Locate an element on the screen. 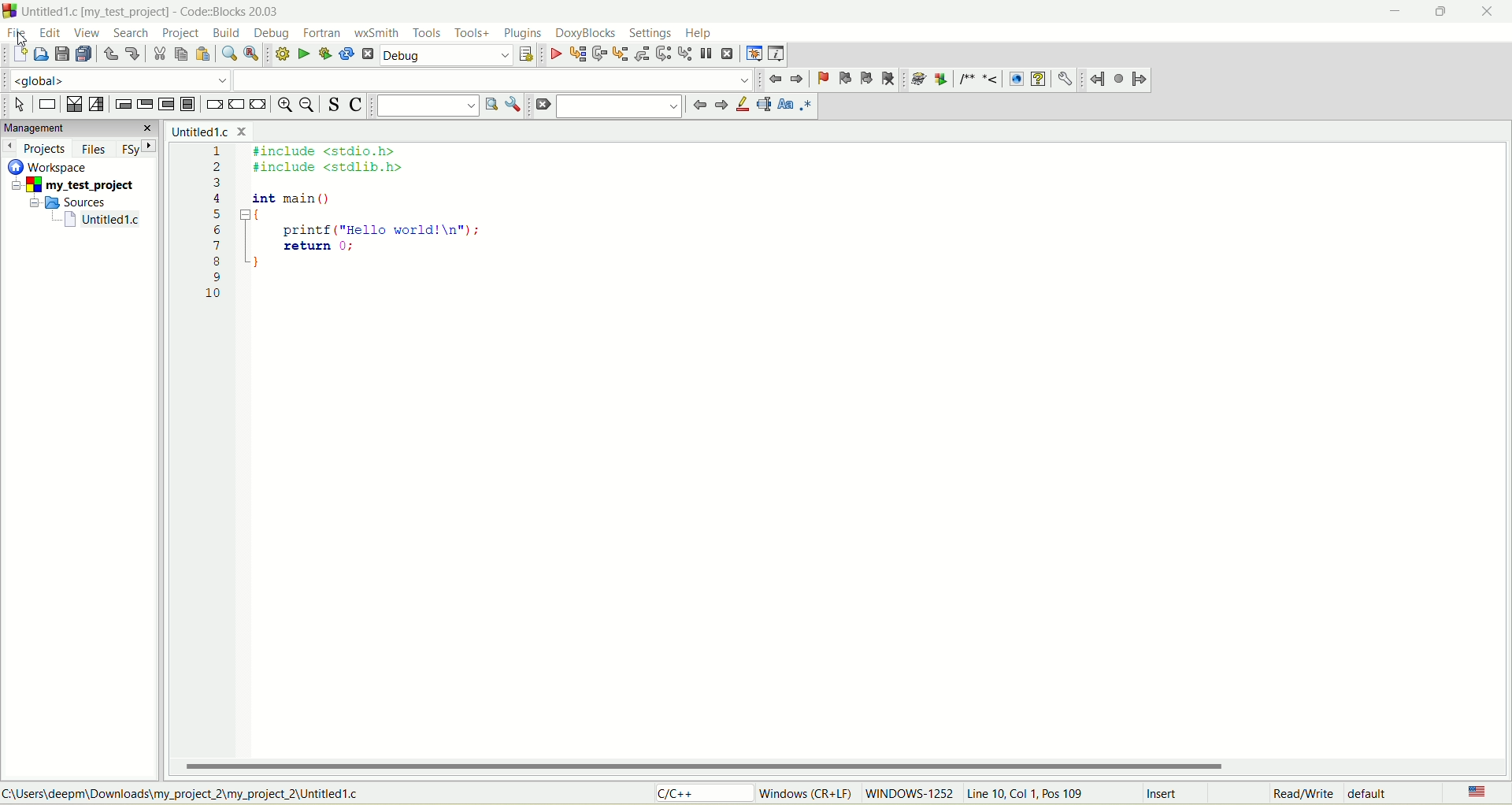 The image size is (1512, 805). run is located at coordinates (303, 53).